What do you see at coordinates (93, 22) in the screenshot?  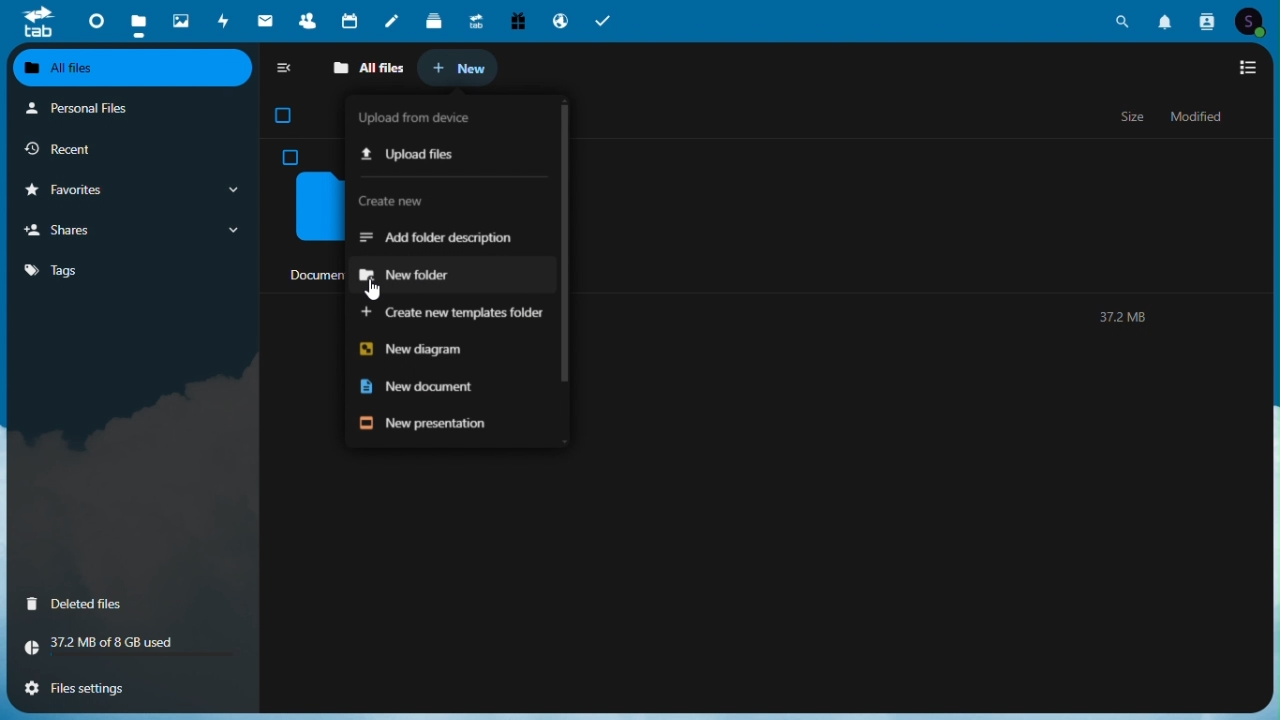 I see `Dashboard` at bounding box center [93, 22].